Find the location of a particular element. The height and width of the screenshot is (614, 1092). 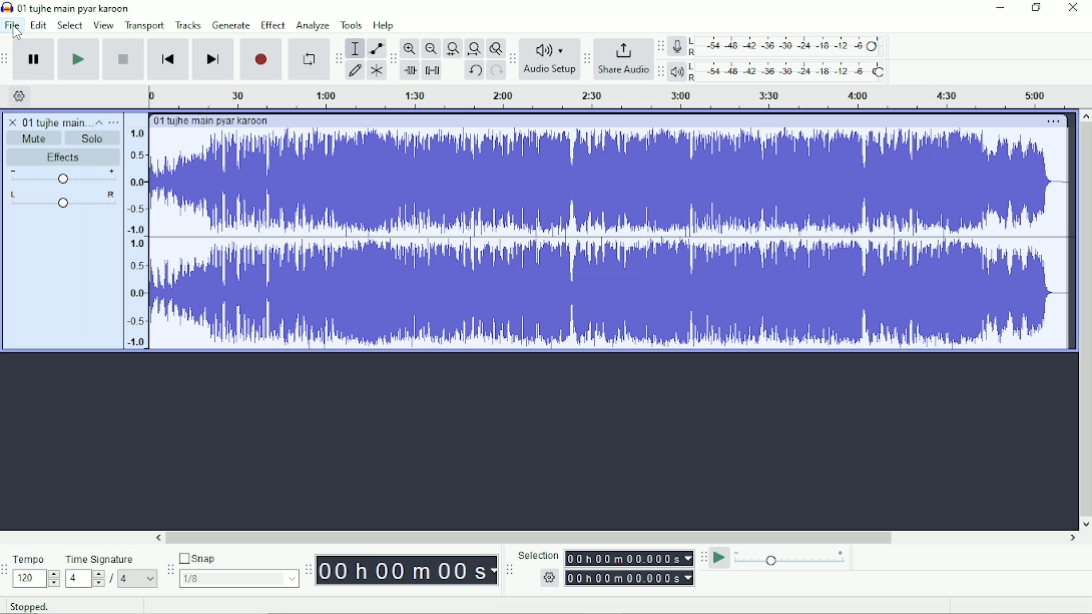

Redo is located at coordinates (496, 70).